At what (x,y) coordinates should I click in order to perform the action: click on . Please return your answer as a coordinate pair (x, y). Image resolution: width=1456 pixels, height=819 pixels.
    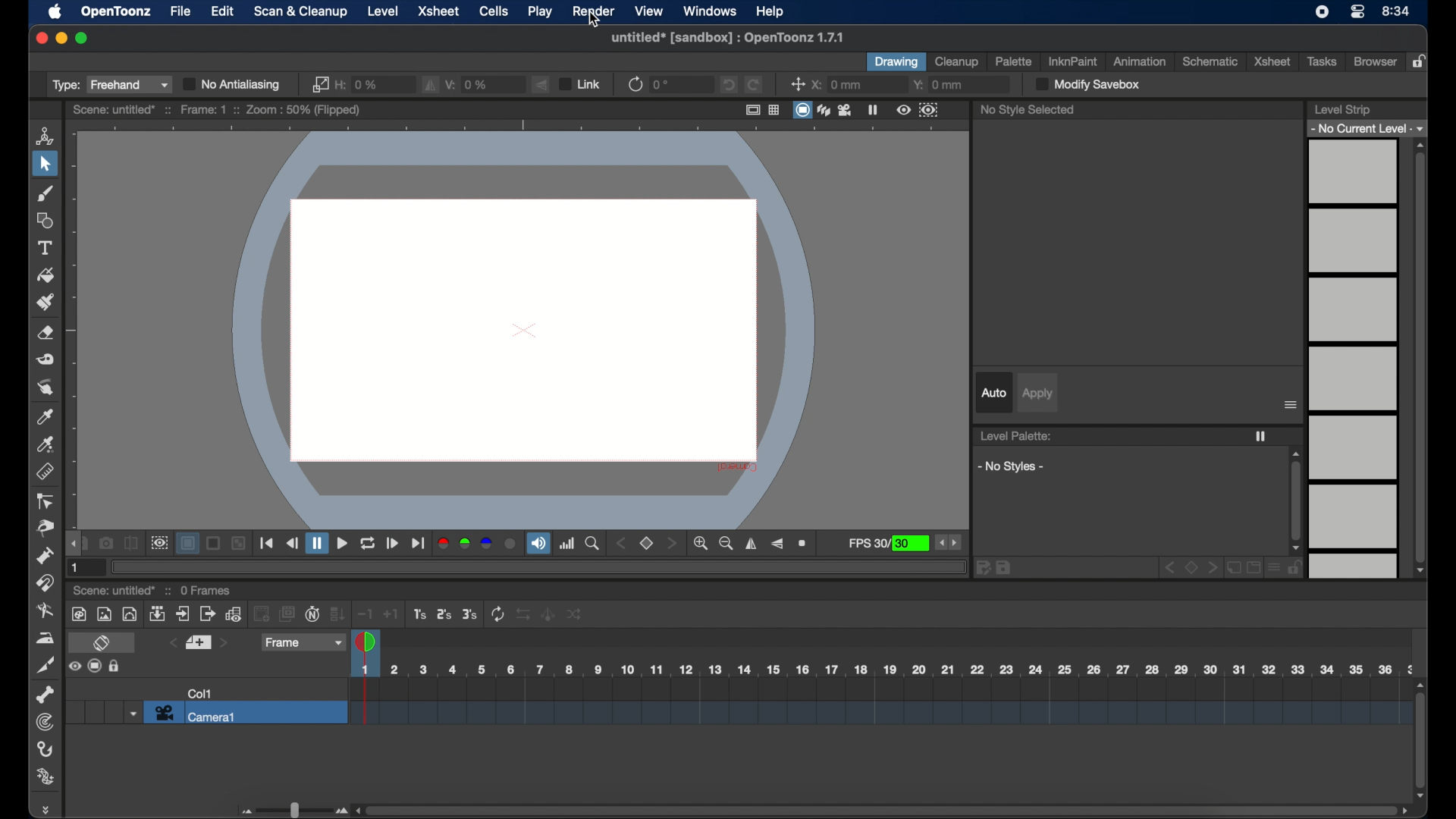
    Looking at the image, I should click on (240, 544).